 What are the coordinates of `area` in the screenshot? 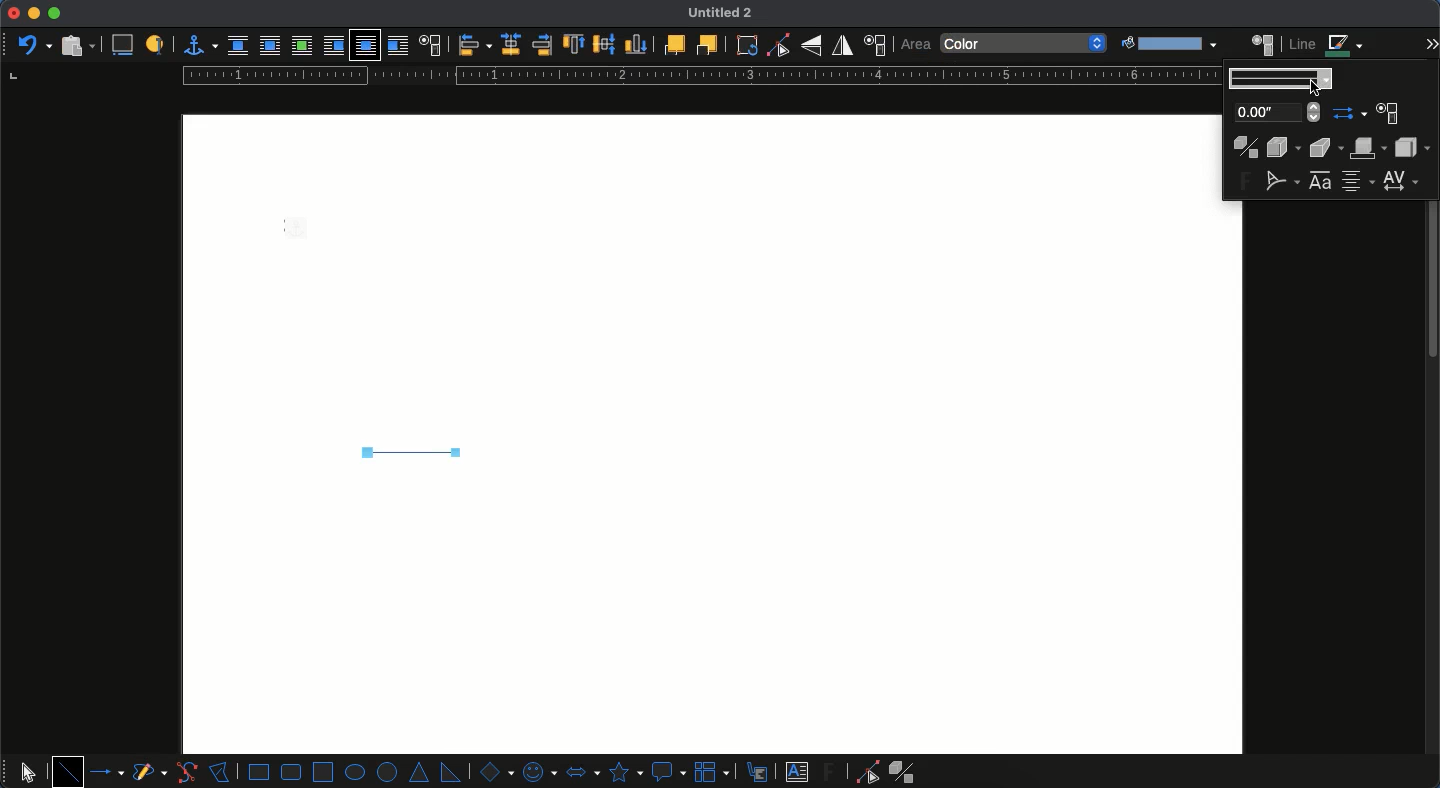 It's located at (1263, 43).